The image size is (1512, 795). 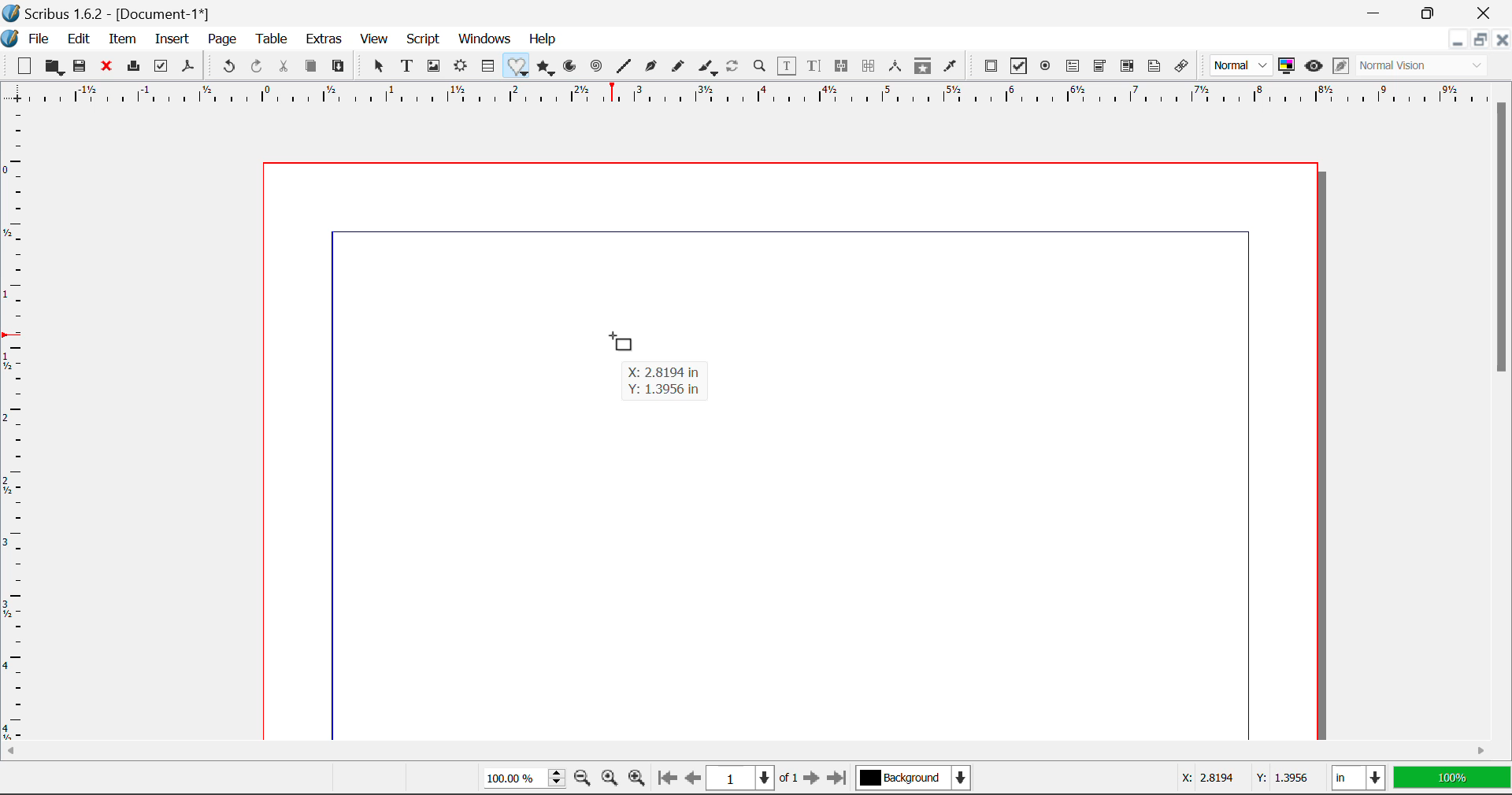 I want to click on Edit Contents in Frame, so click(x=788, y=66).